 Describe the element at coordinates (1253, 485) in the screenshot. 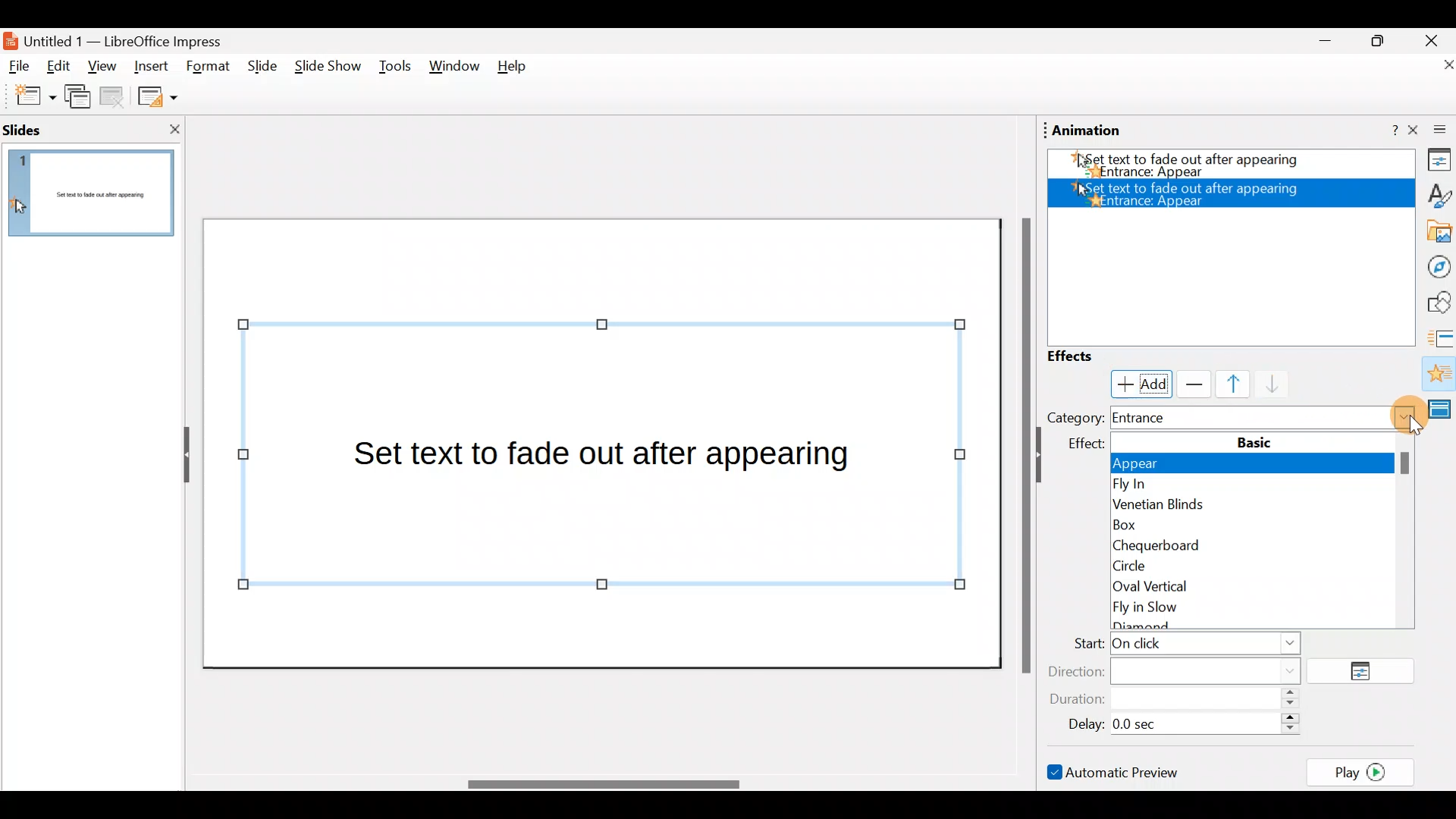

I see `Fly In` at that location.